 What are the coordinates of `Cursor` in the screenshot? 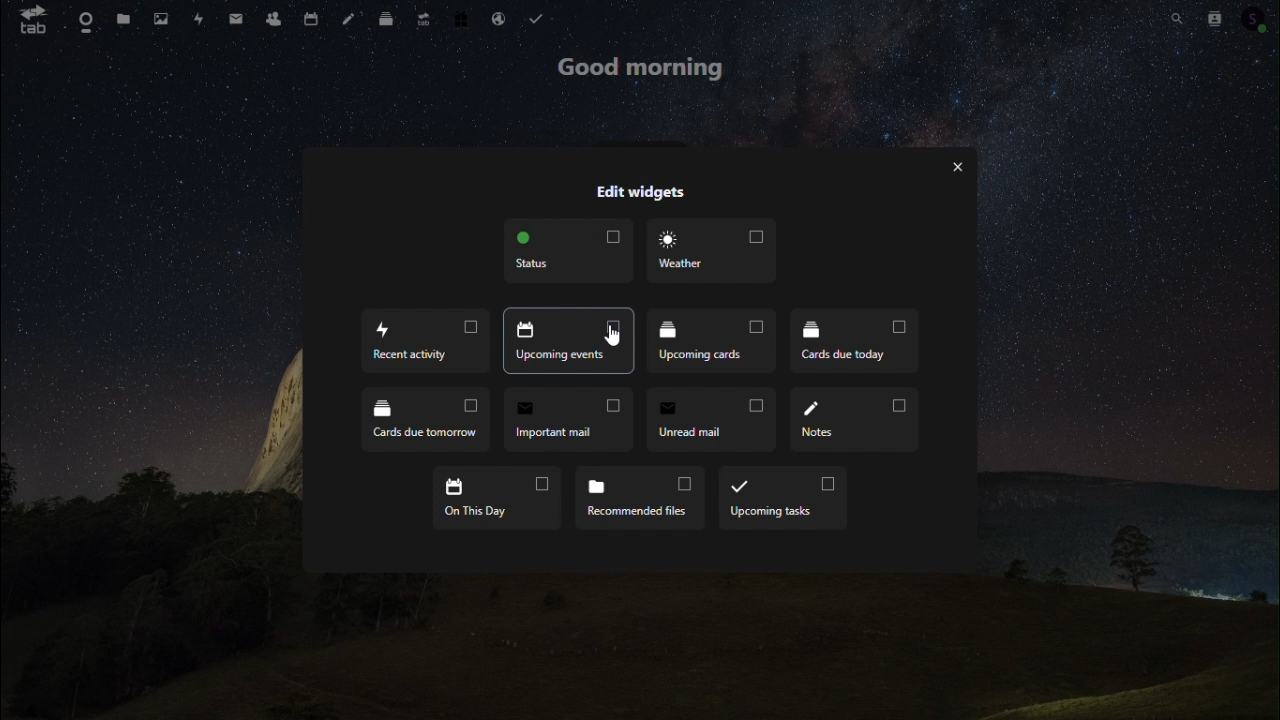 It's located at (617, 336).